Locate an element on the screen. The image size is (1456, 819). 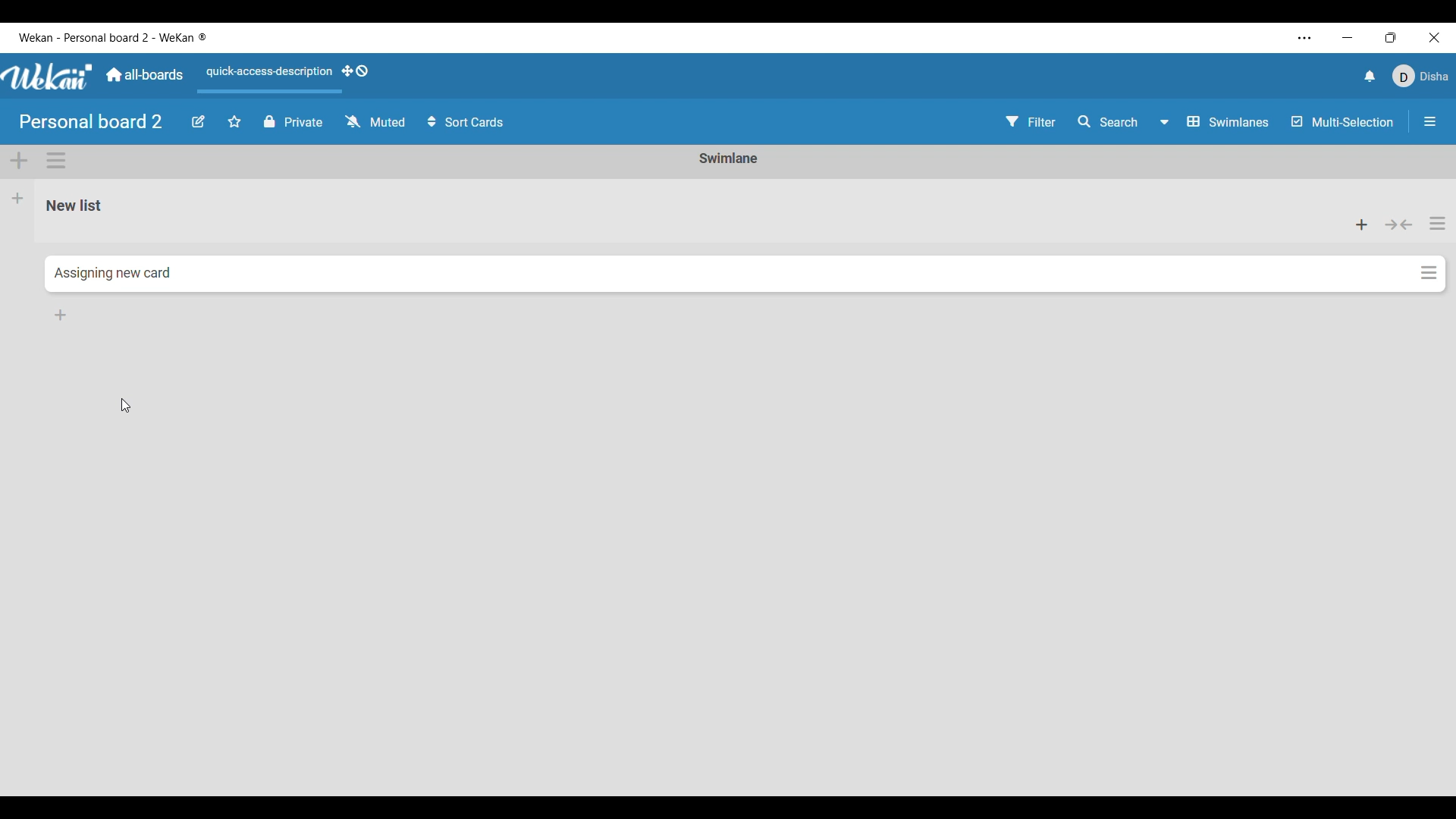
Filter is located at coordinates (1031, 121).